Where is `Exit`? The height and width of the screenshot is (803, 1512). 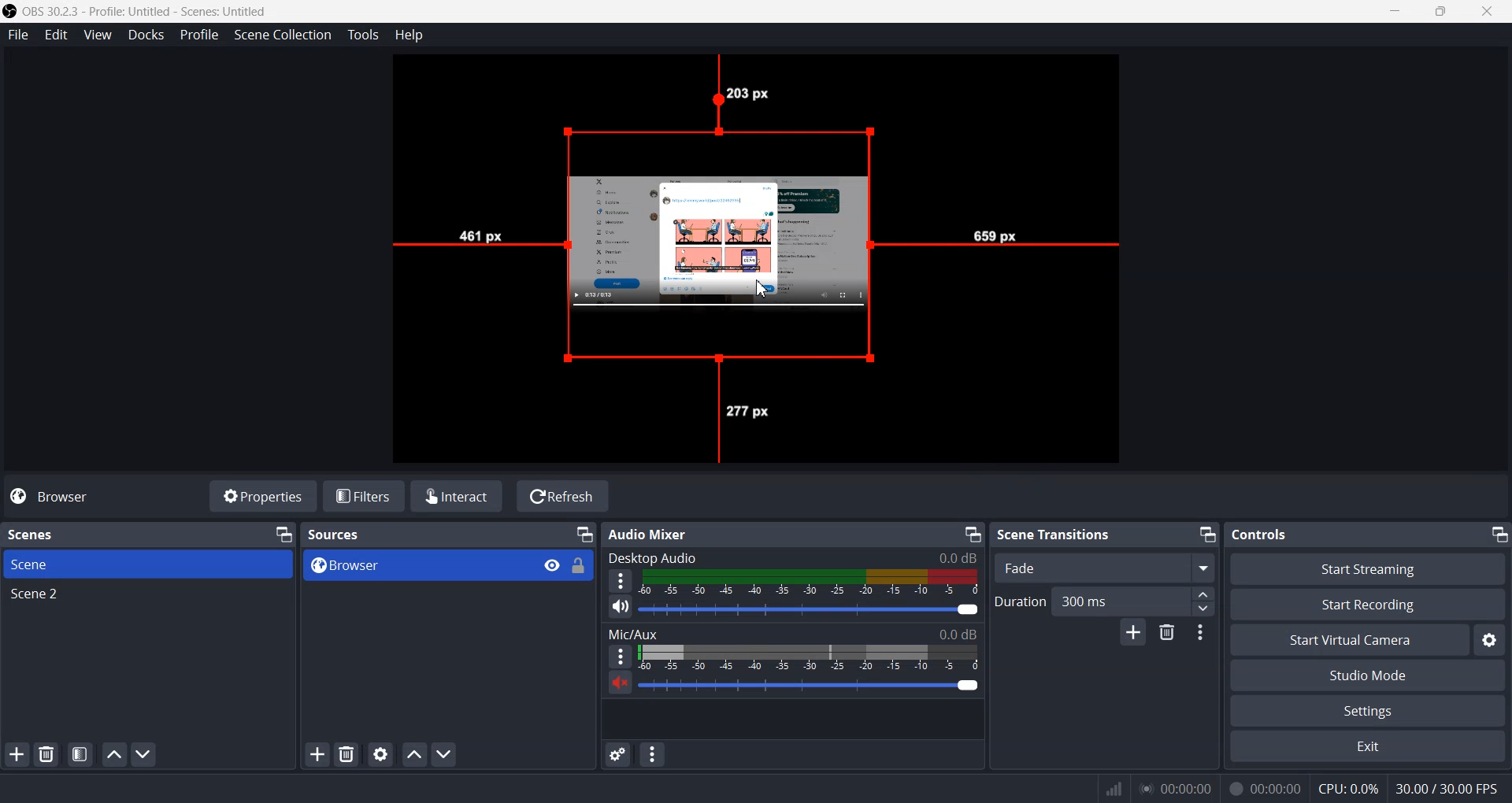 Exit is located at coordinates (1369, 746).